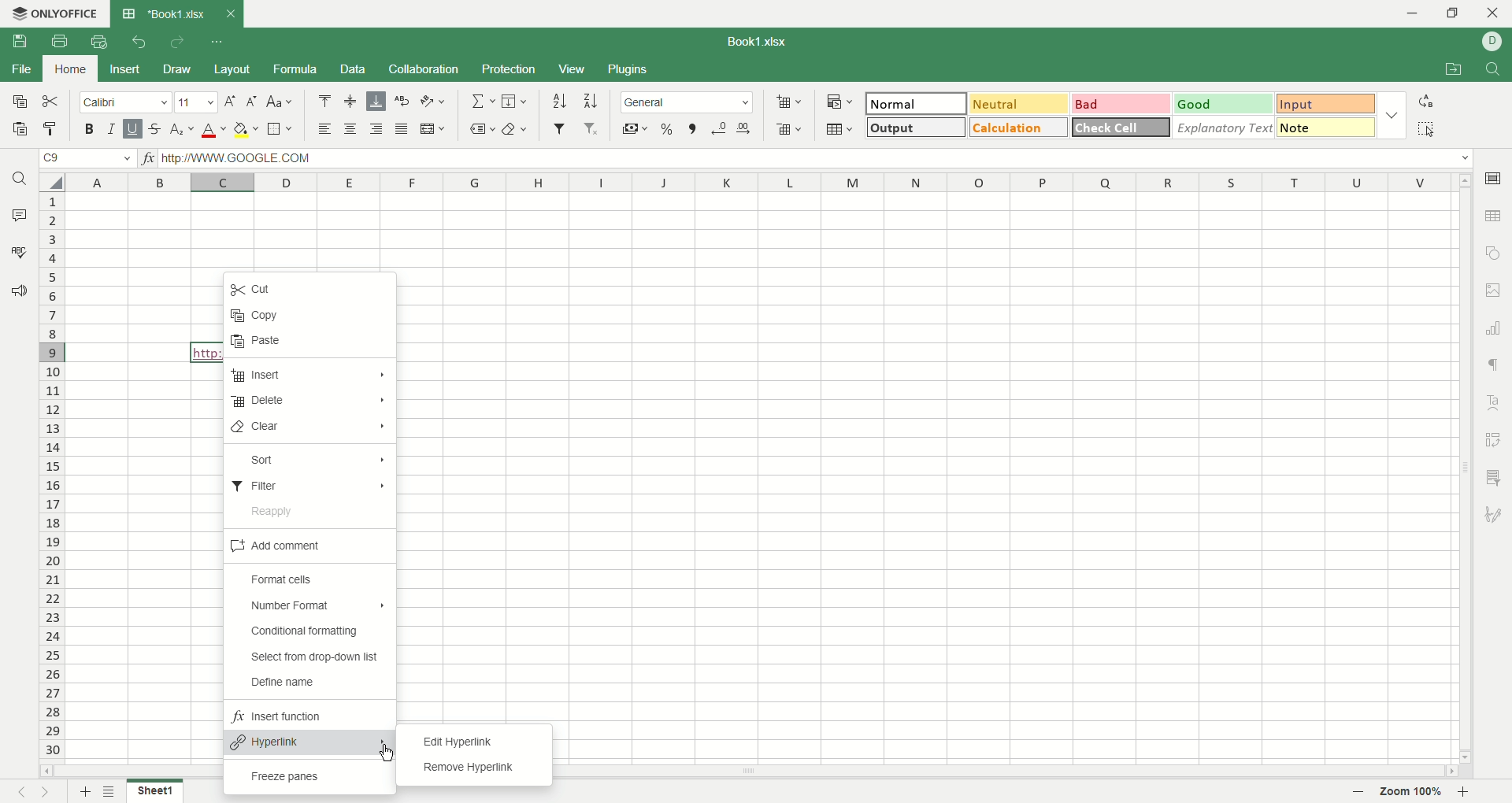 This screenshot has height=803, width=1512. I want to click on zoom percent, so click(1414, 791).